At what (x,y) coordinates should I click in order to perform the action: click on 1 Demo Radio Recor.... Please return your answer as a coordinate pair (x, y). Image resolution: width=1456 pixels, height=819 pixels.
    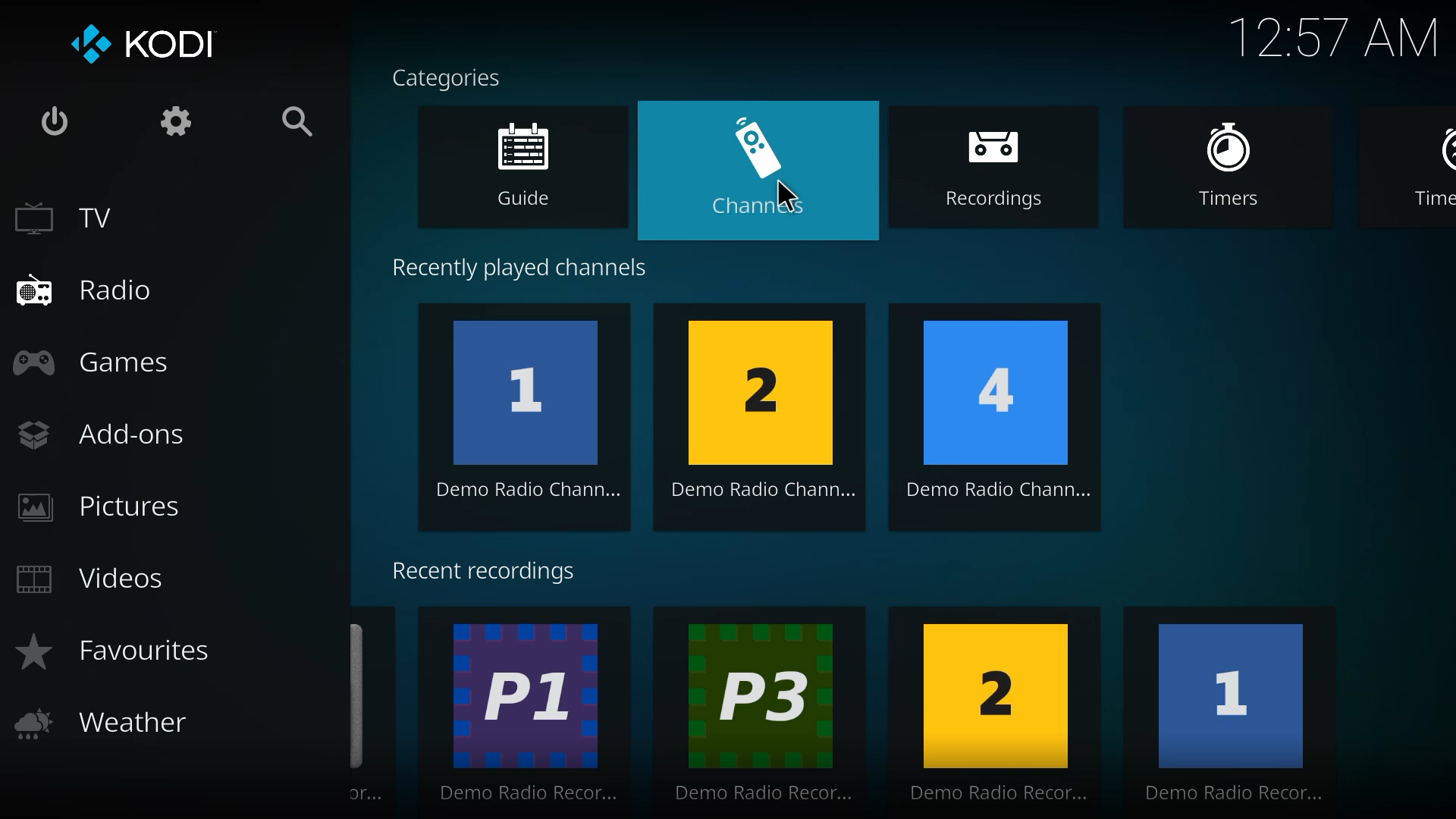
    Looking at the image, I should click on (1232, 711).